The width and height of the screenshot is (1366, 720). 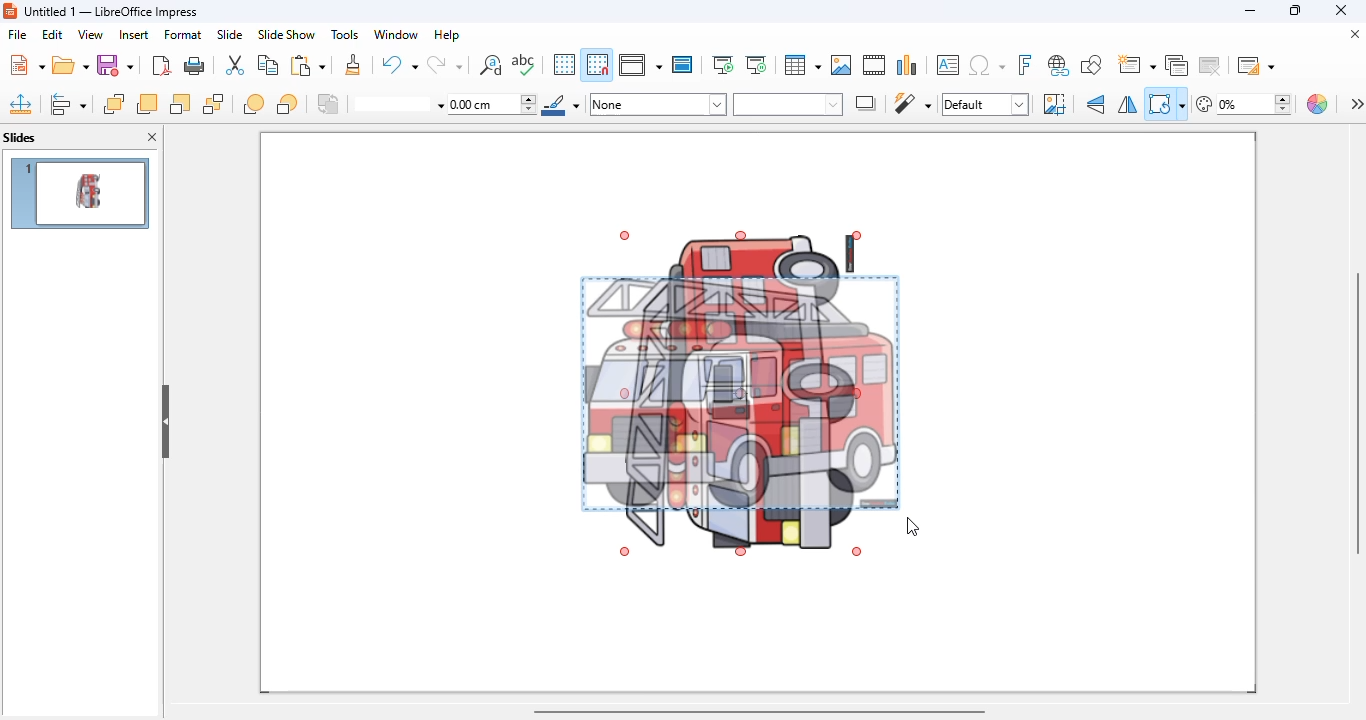 What do you see at coordinates (180, 104) in the screenshot?
I see `send backward` at bounding box center [180, 104].